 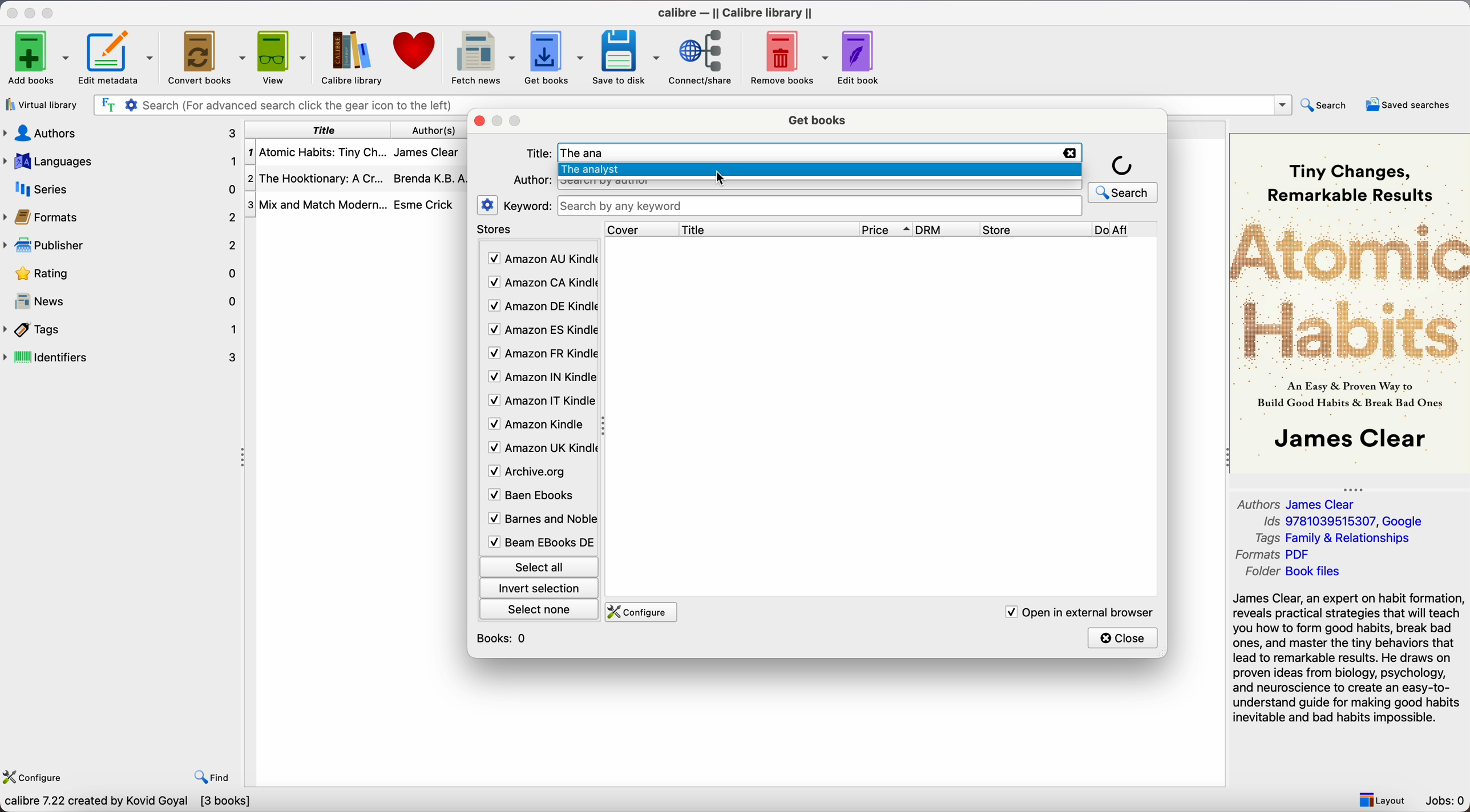 I want to click on Author:, so click(x=532, y=180).